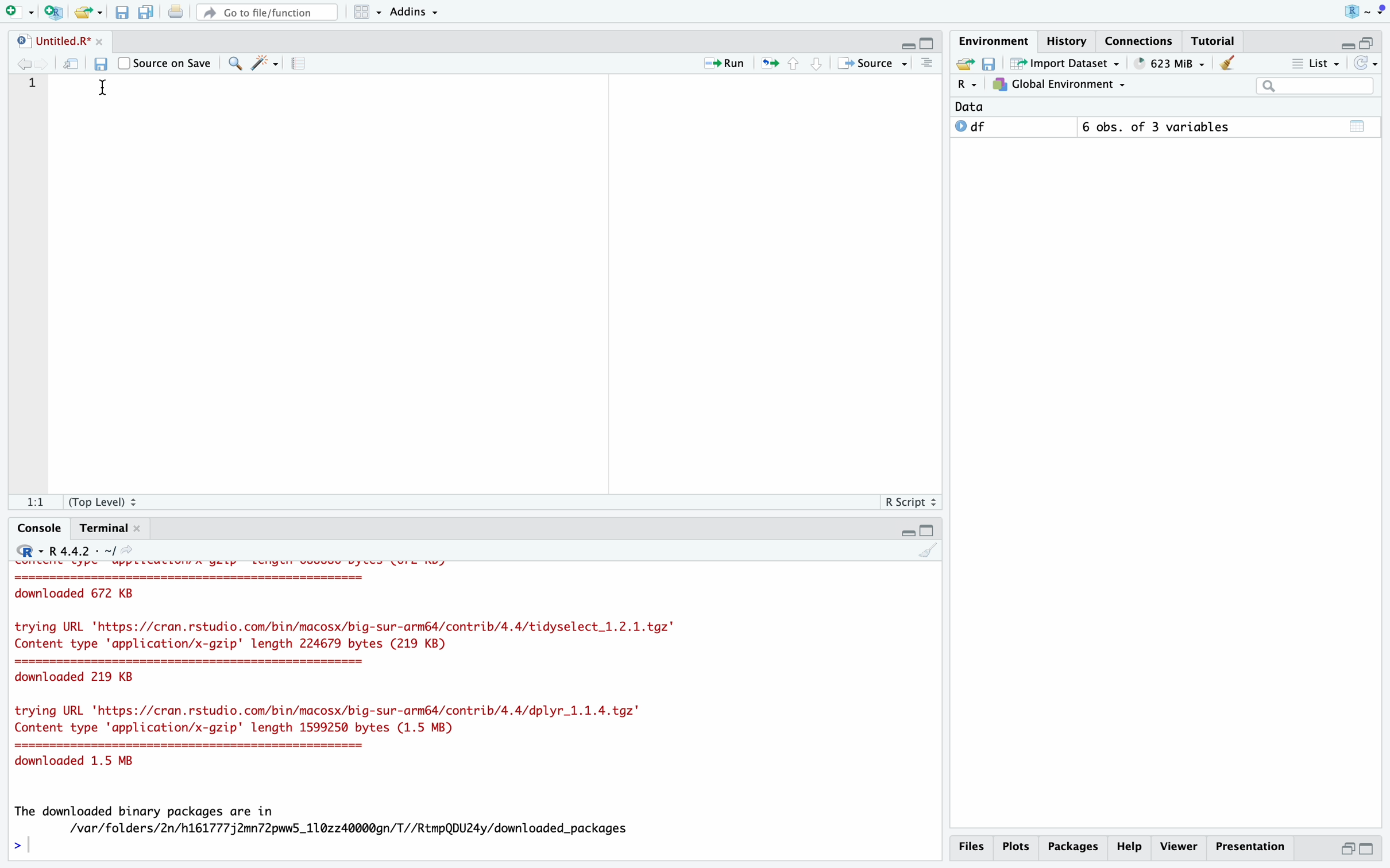 The width and height of the screenshot is (1390, 868). Describe the element at coordinates (235, 64) in the screenshot. I see `Find/Replace` at that location.